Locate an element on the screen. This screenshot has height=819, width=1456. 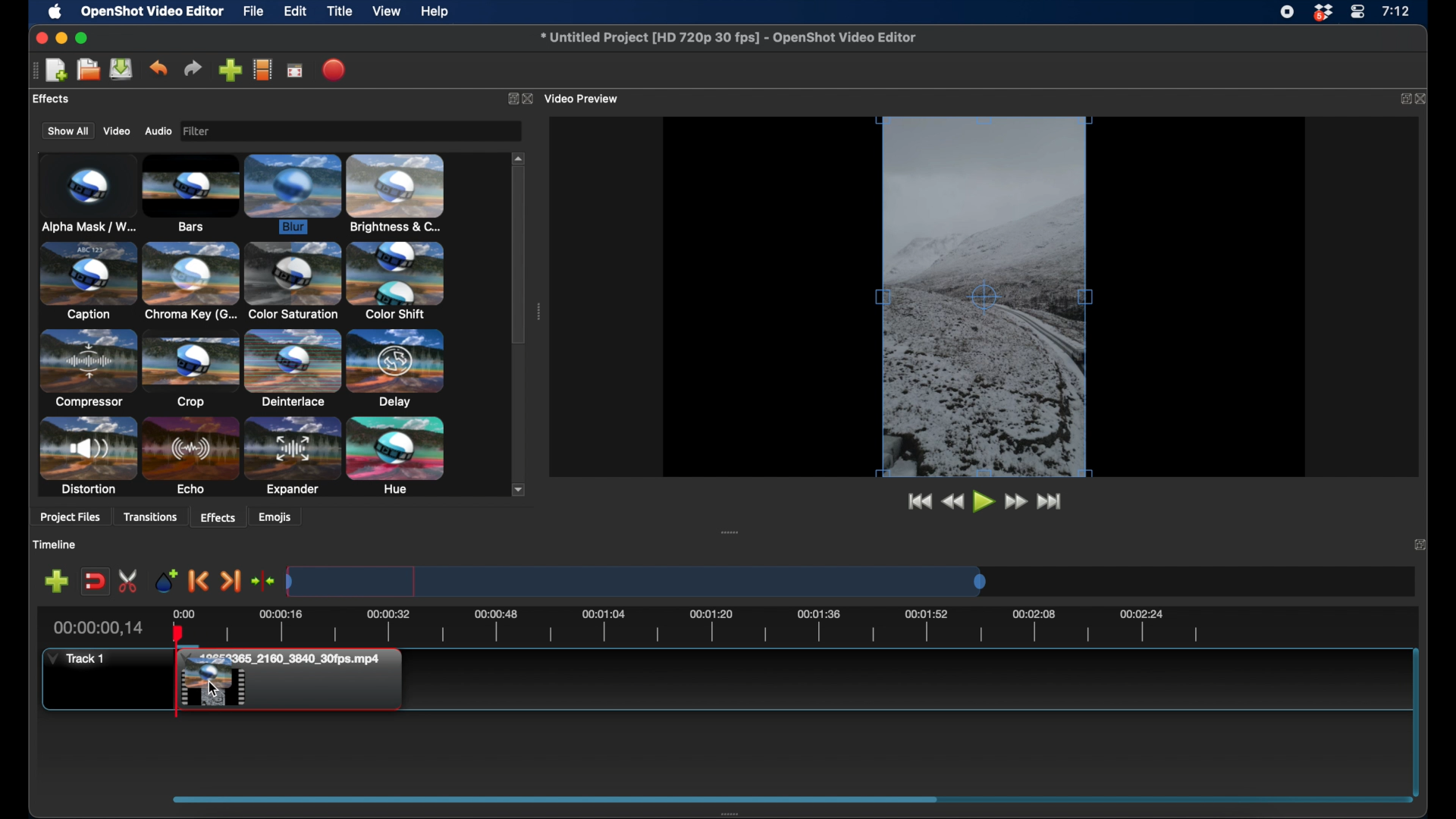
play is located at coordinates (984, 504).